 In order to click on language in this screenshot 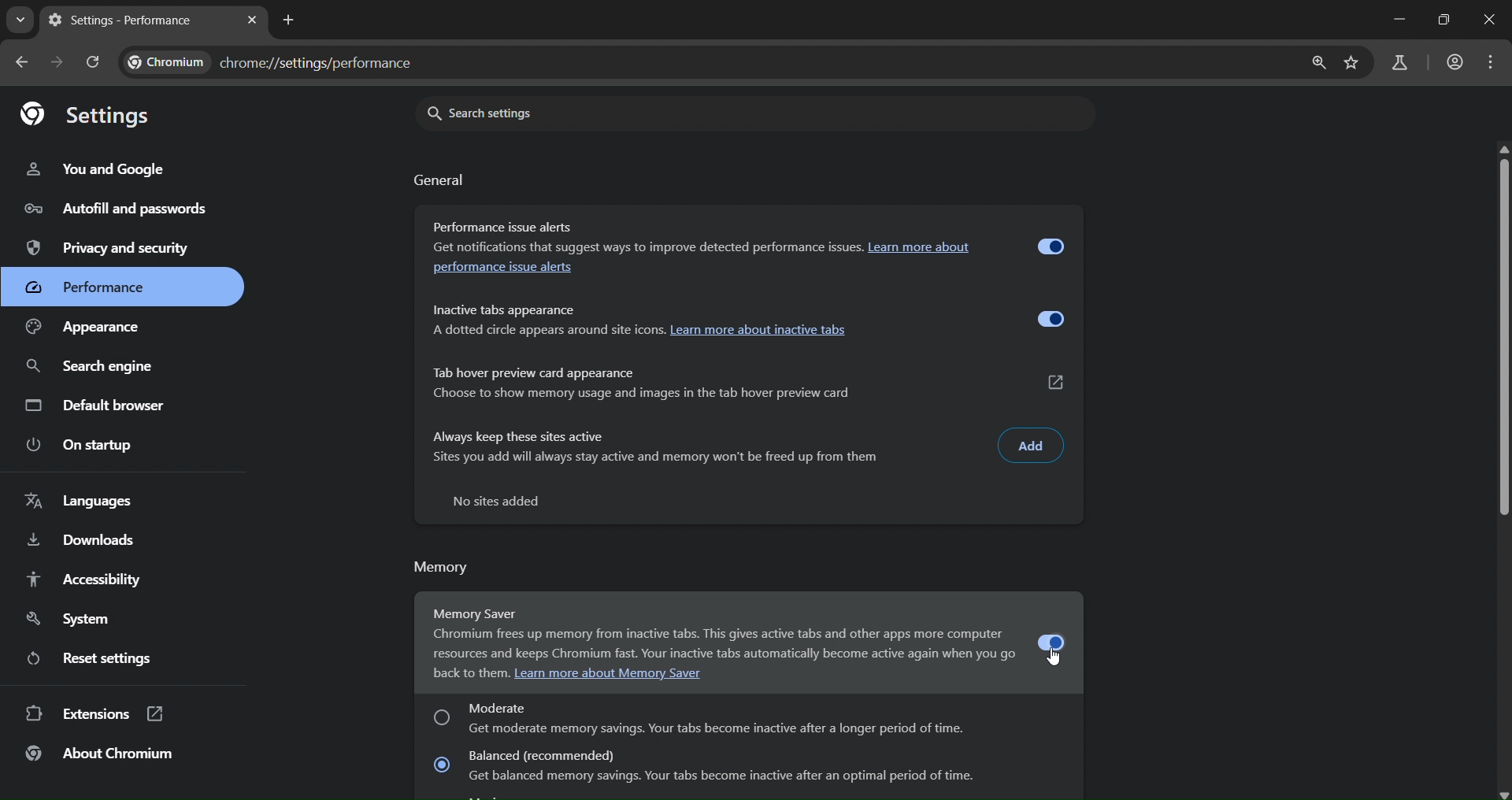, I will do `click(83, 504)`.